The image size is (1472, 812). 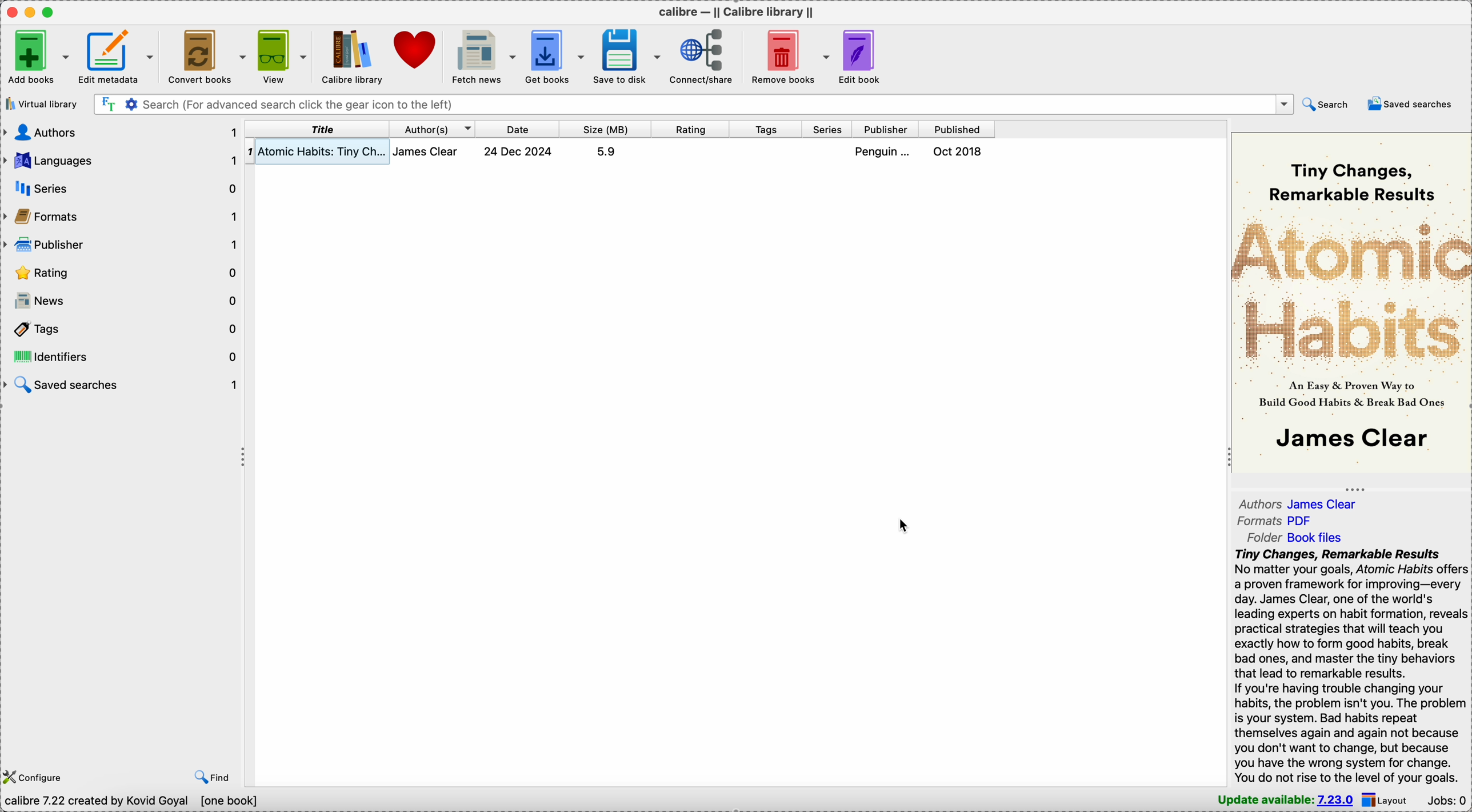 I want to click on minimize, so click(x=33, y=11).